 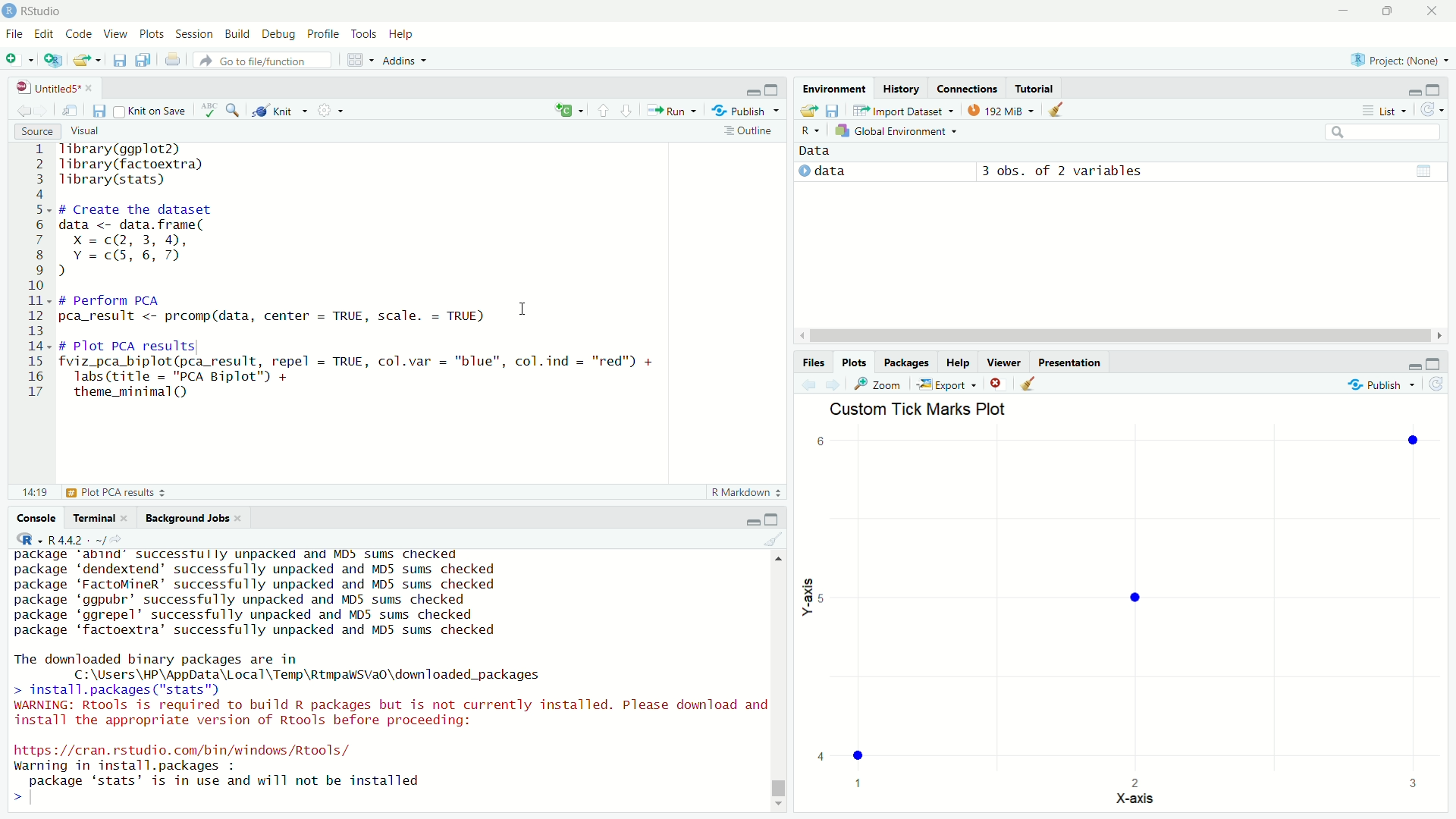 What do you see at coordinates (1057, 108) in the screenshot?
I see `clear all objects` at bounding box center [1057, 108].